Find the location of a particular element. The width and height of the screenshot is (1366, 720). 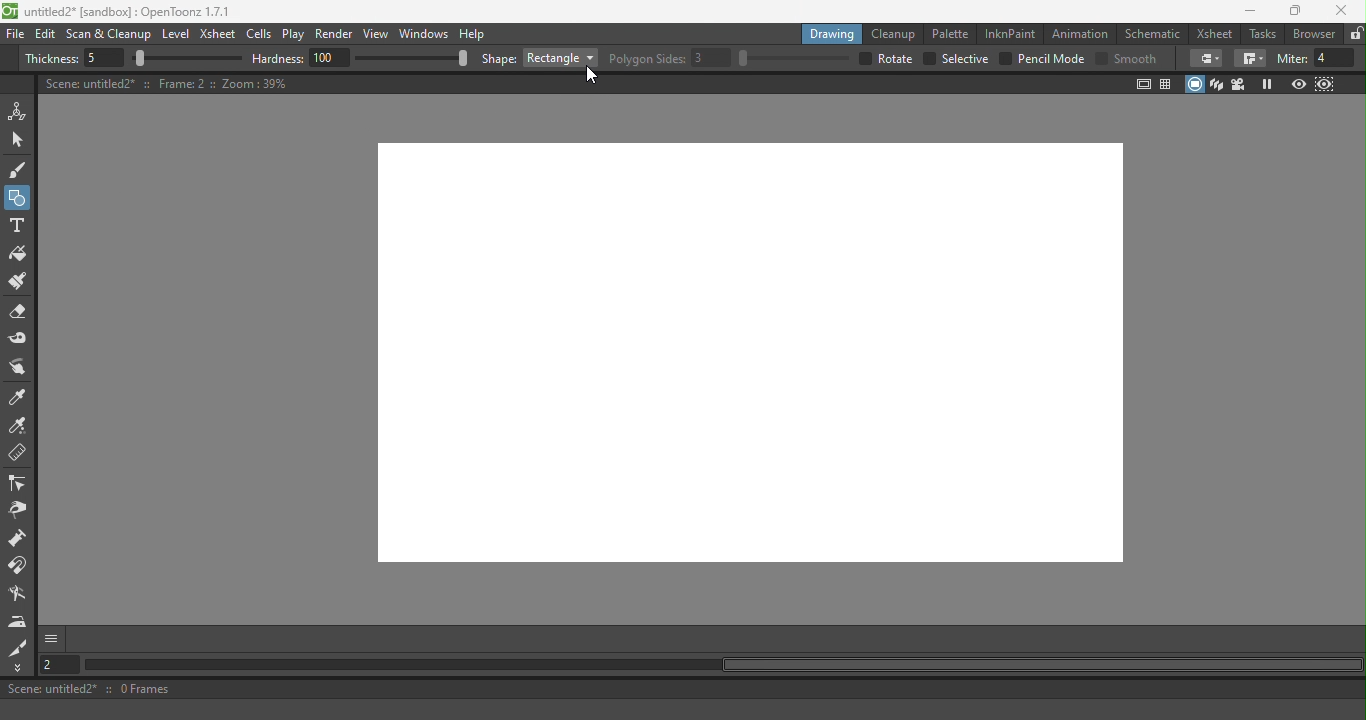

Browser is located at coordinates (1315, 34).